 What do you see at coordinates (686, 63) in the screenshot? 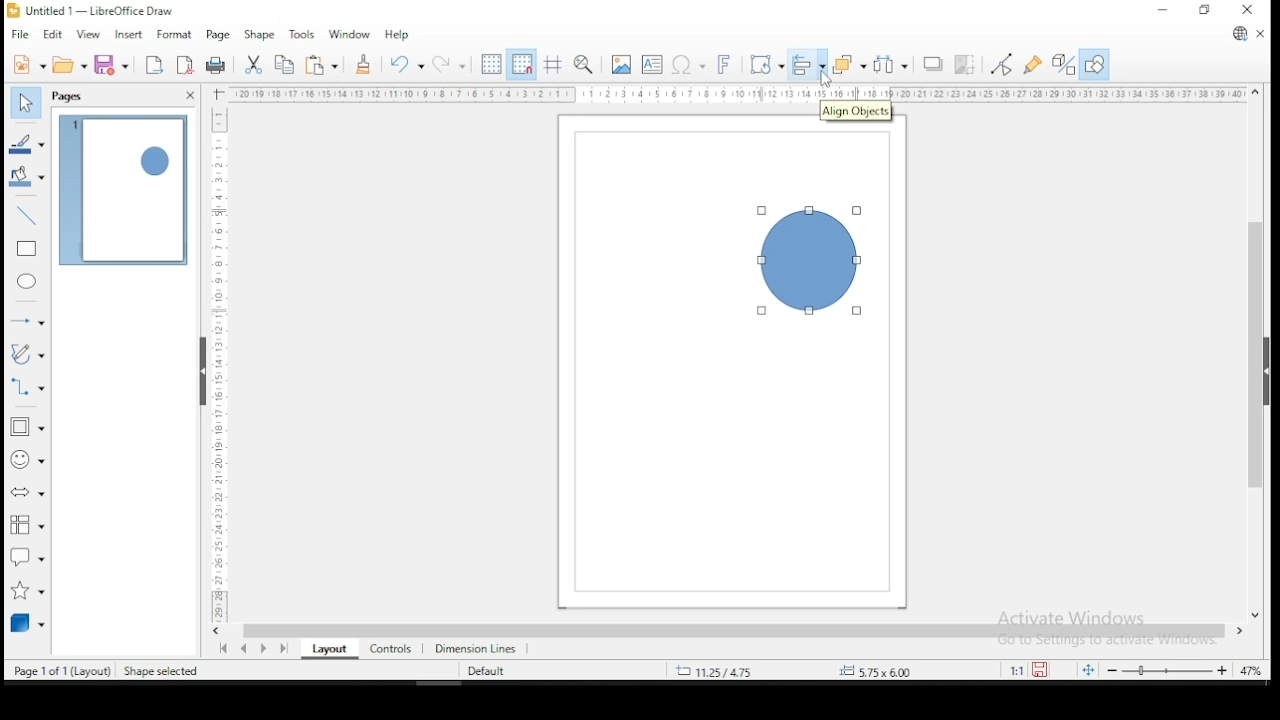
I see `insert special characters` at bounding box center [686, 63].